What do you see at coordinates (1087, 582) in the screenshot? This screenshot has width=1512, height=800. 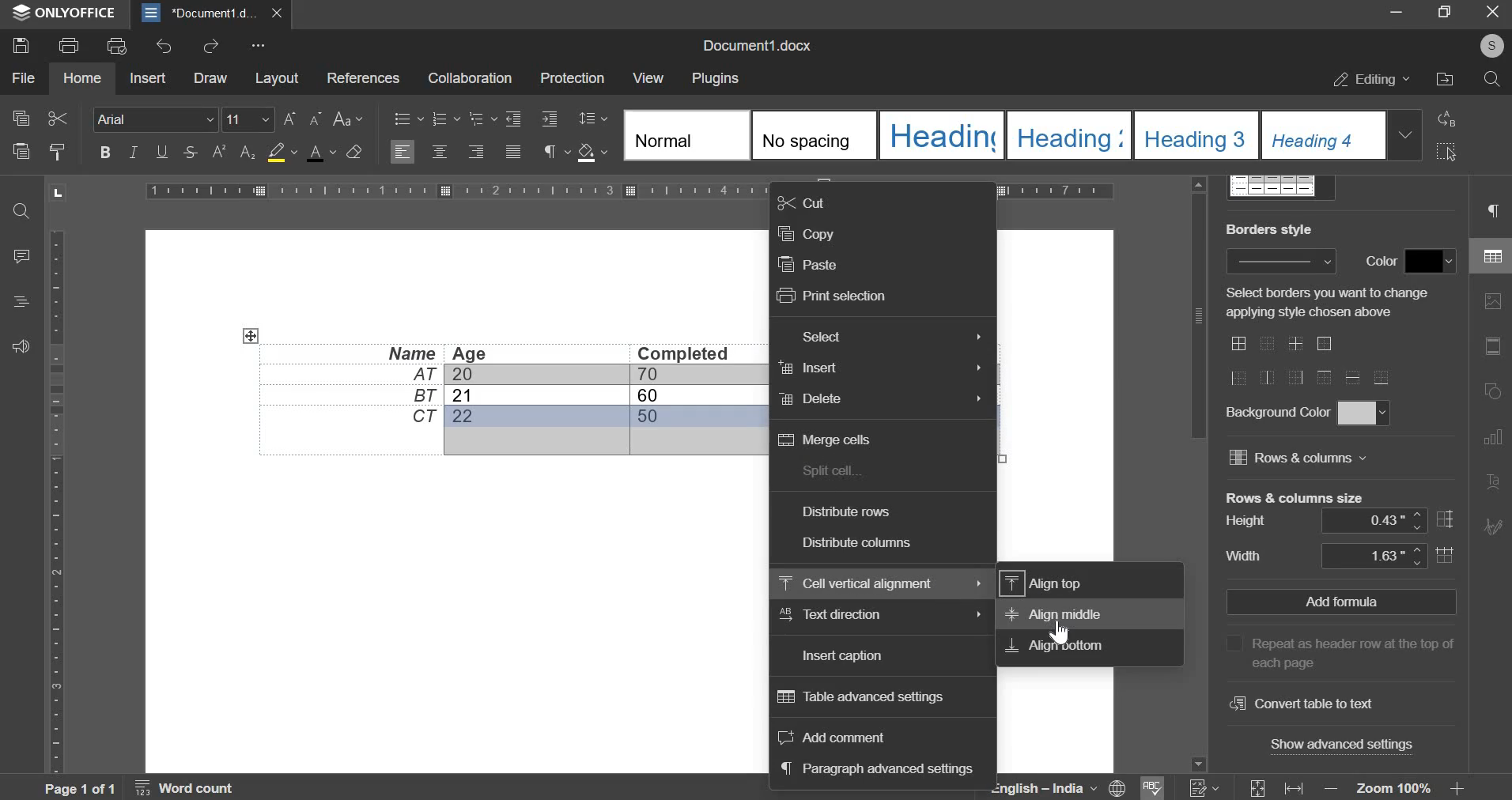 I see `Align Top` at bounding box center [1087, 582].